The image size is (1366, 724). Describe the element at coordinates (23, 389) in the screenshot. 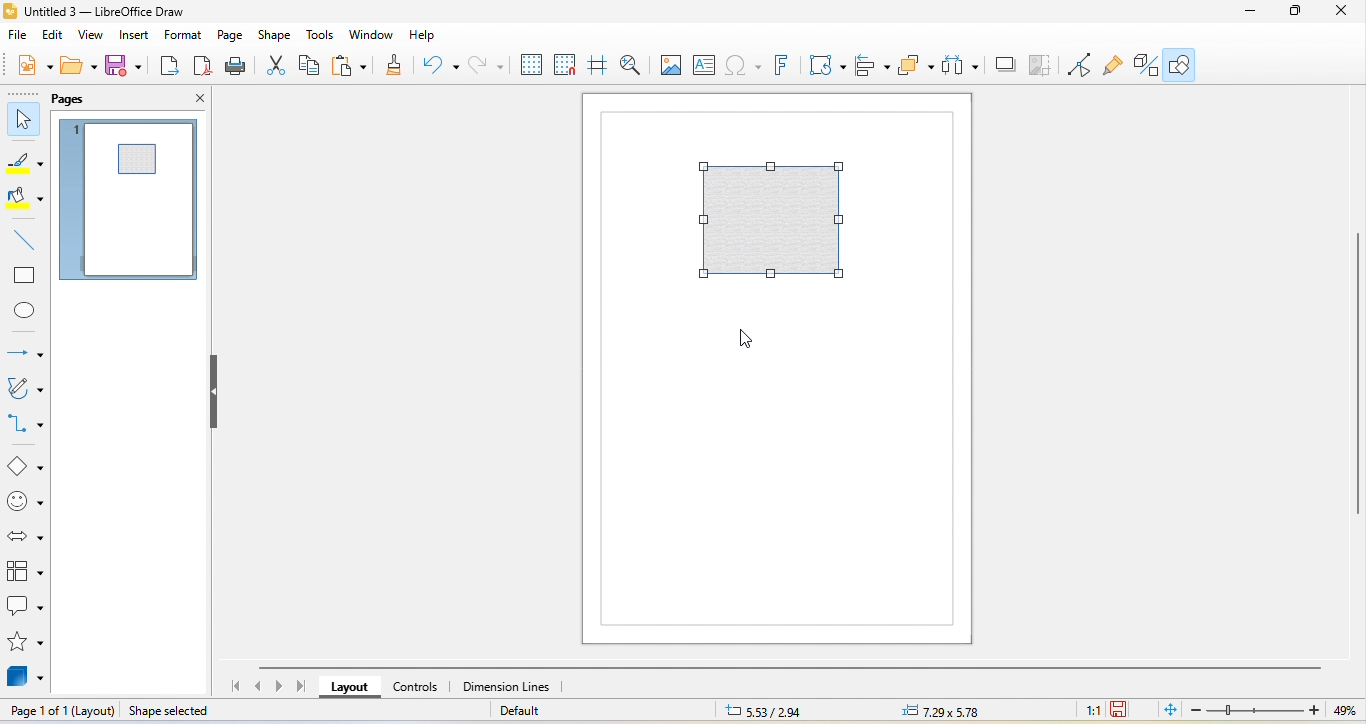

I see `curve and polygons` at that location.